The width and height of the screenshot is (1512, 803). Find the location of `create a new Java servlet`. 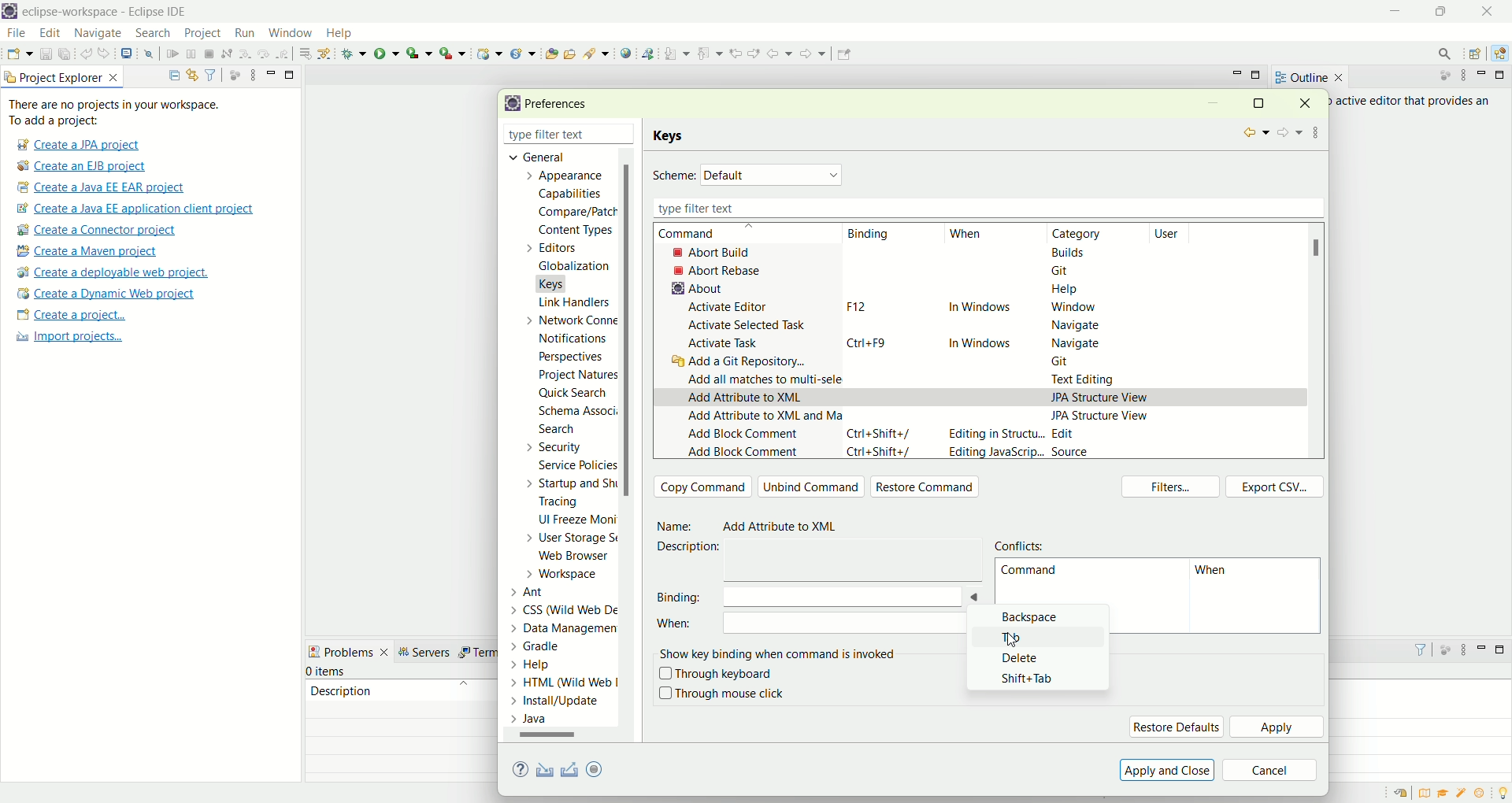

create a new Java servlet is located at coordinates (527, 54).